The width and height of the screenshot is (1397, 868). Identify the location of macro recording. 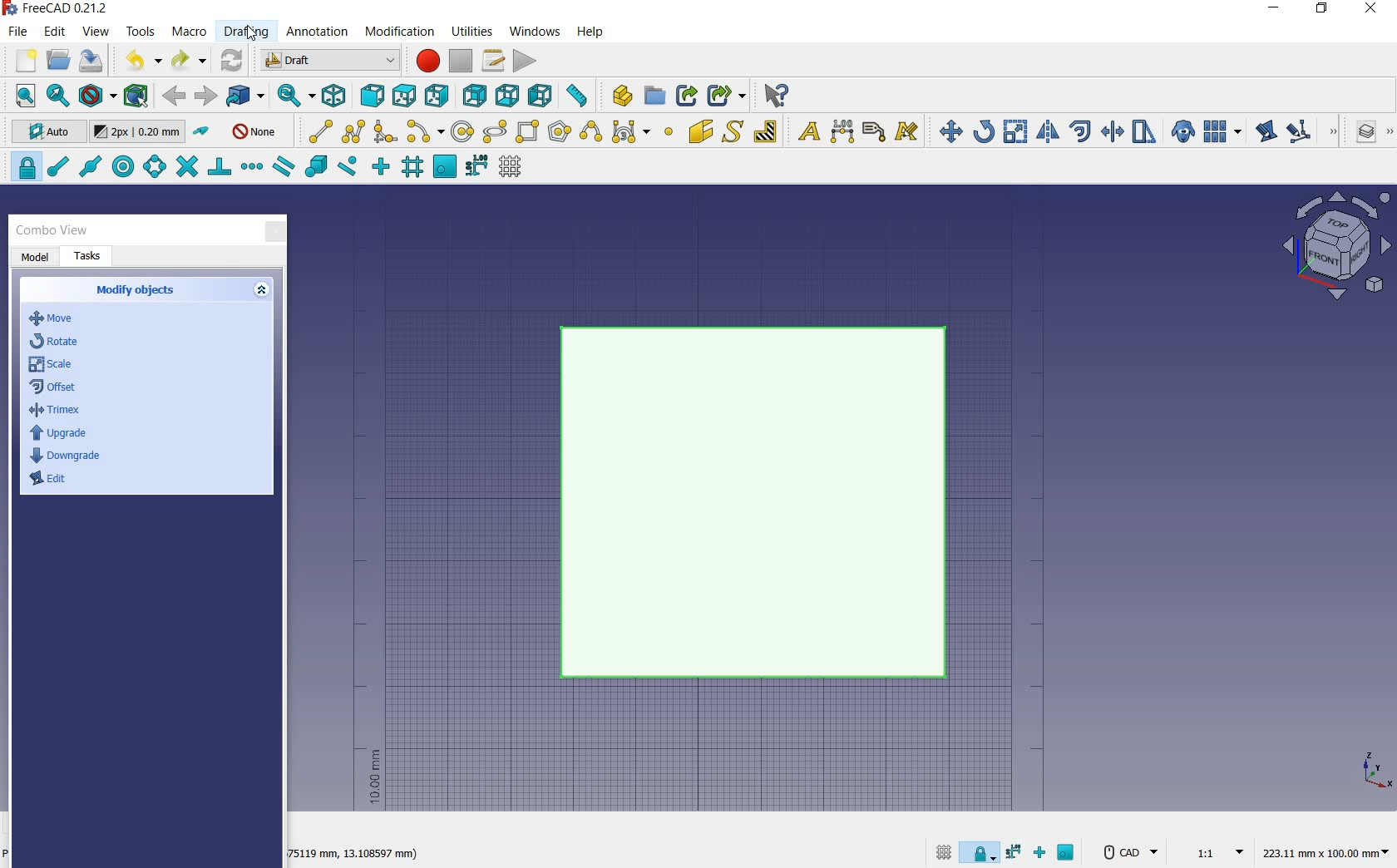
(426, 61).